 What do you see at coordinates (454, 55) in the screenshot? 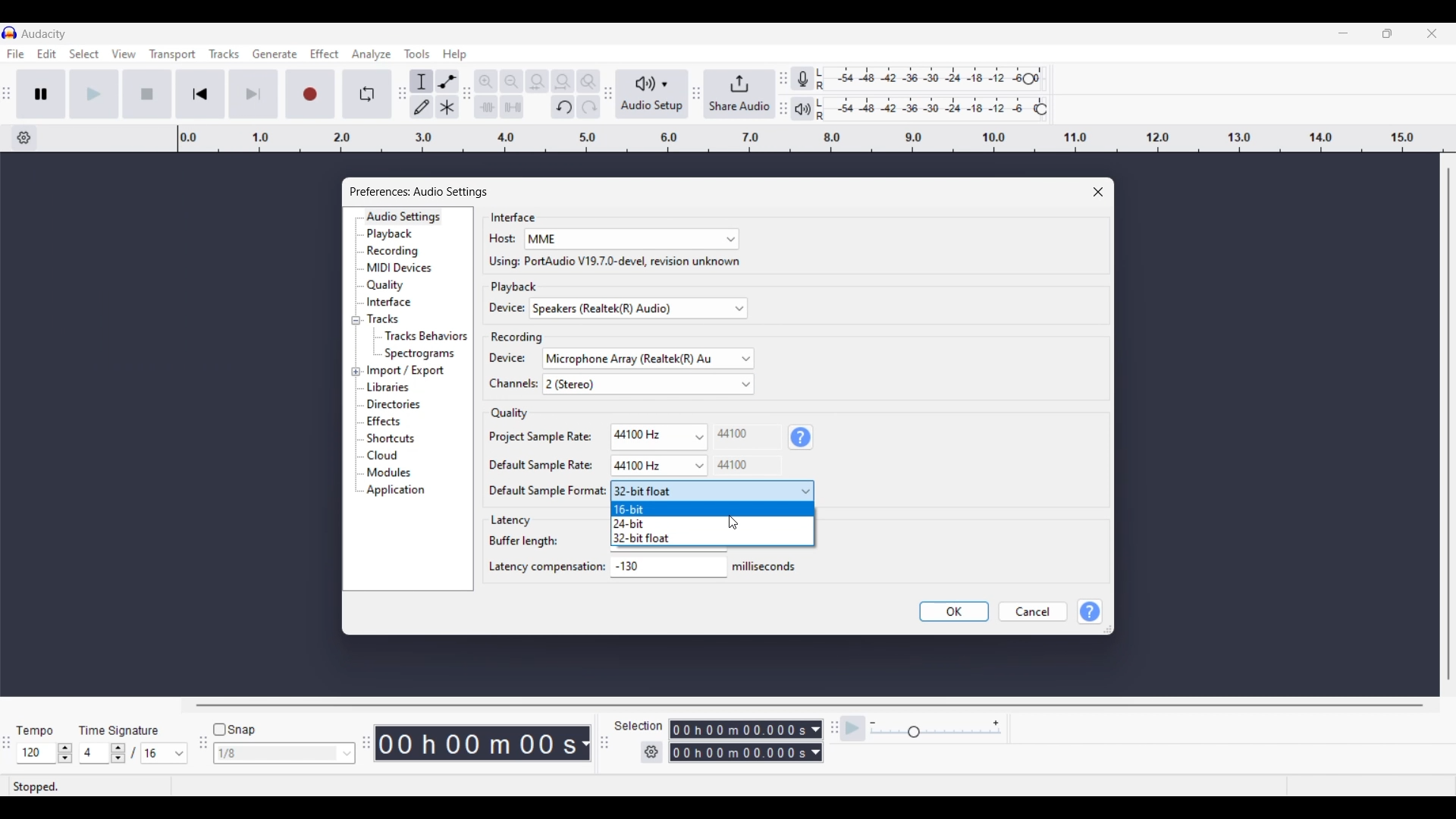
I see `Help menu` at bounding box center [454, 55].